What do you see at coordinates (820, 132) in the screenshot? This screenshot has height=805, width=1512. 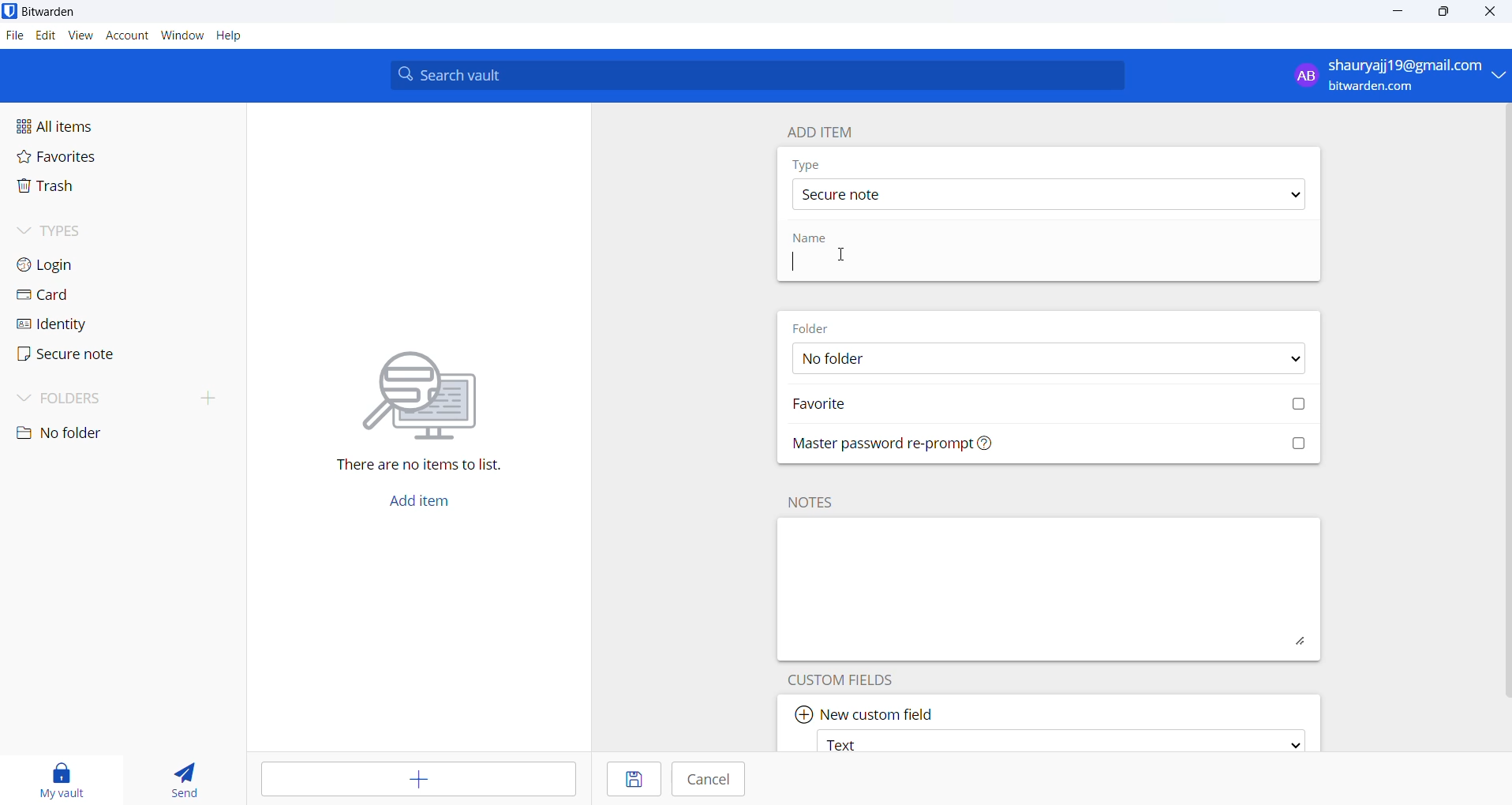 I see `add item` at bounding box center [820, 132].